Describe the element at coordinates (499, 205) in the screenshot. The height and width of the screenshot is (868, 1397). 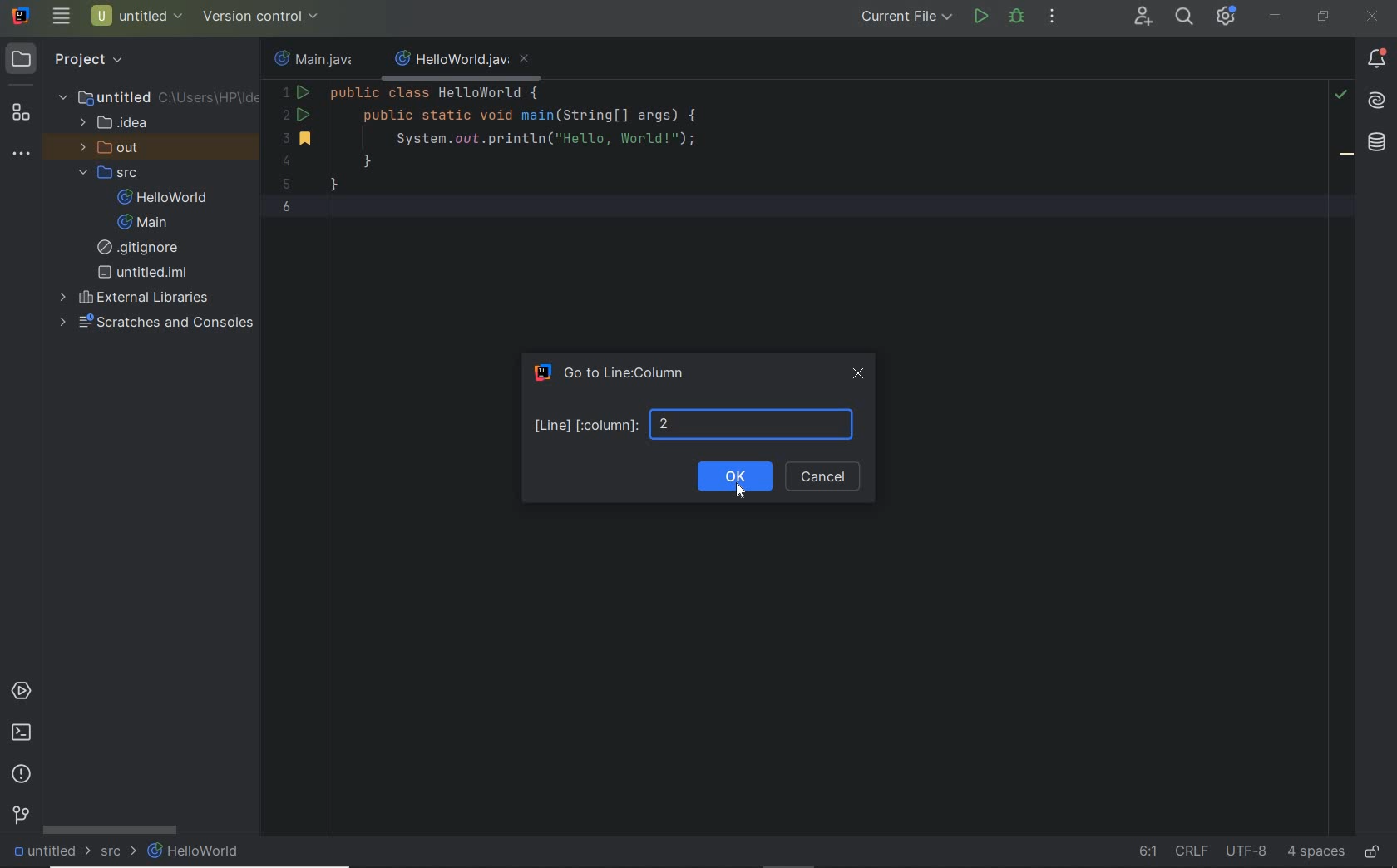
I see `current line` at that location.